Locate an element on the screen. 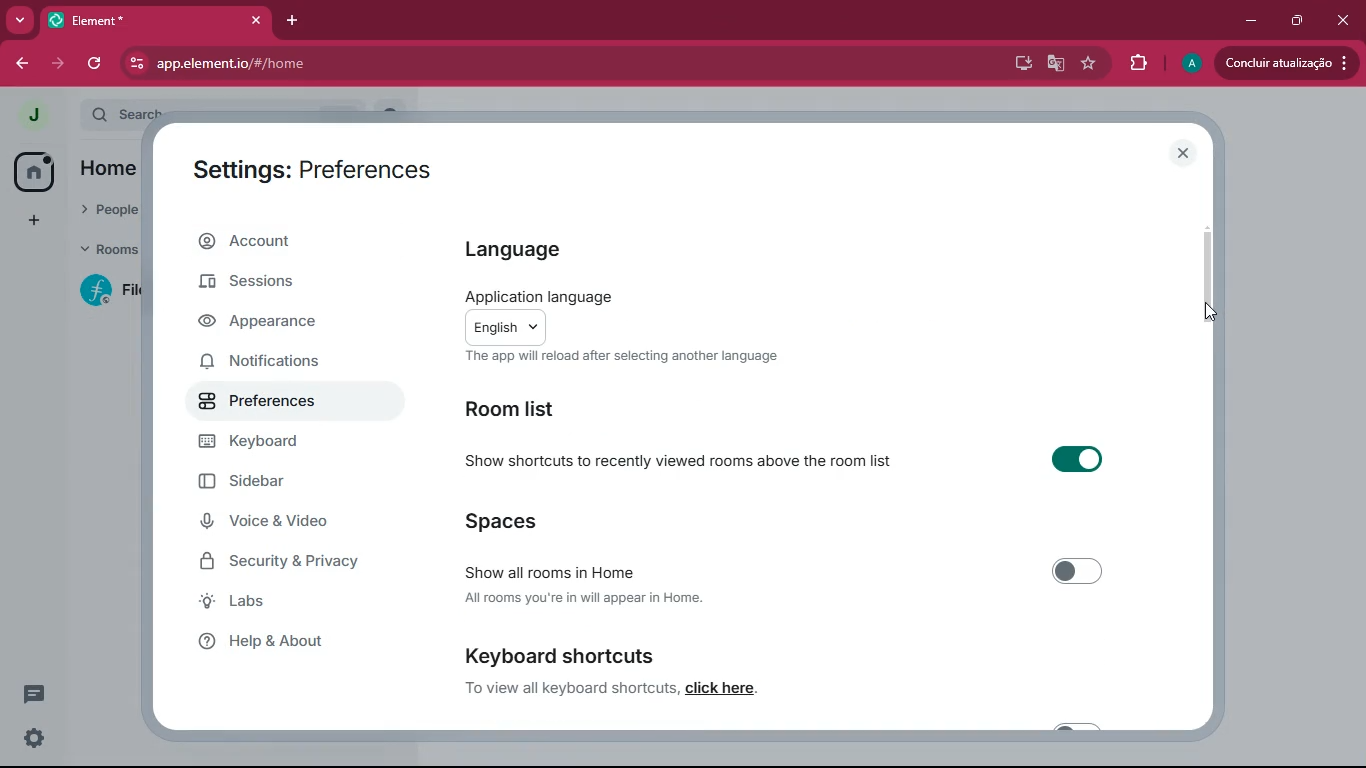 The height and width of the screenshot is (768, 1366). voice & video is located at coordinates (285, 522).